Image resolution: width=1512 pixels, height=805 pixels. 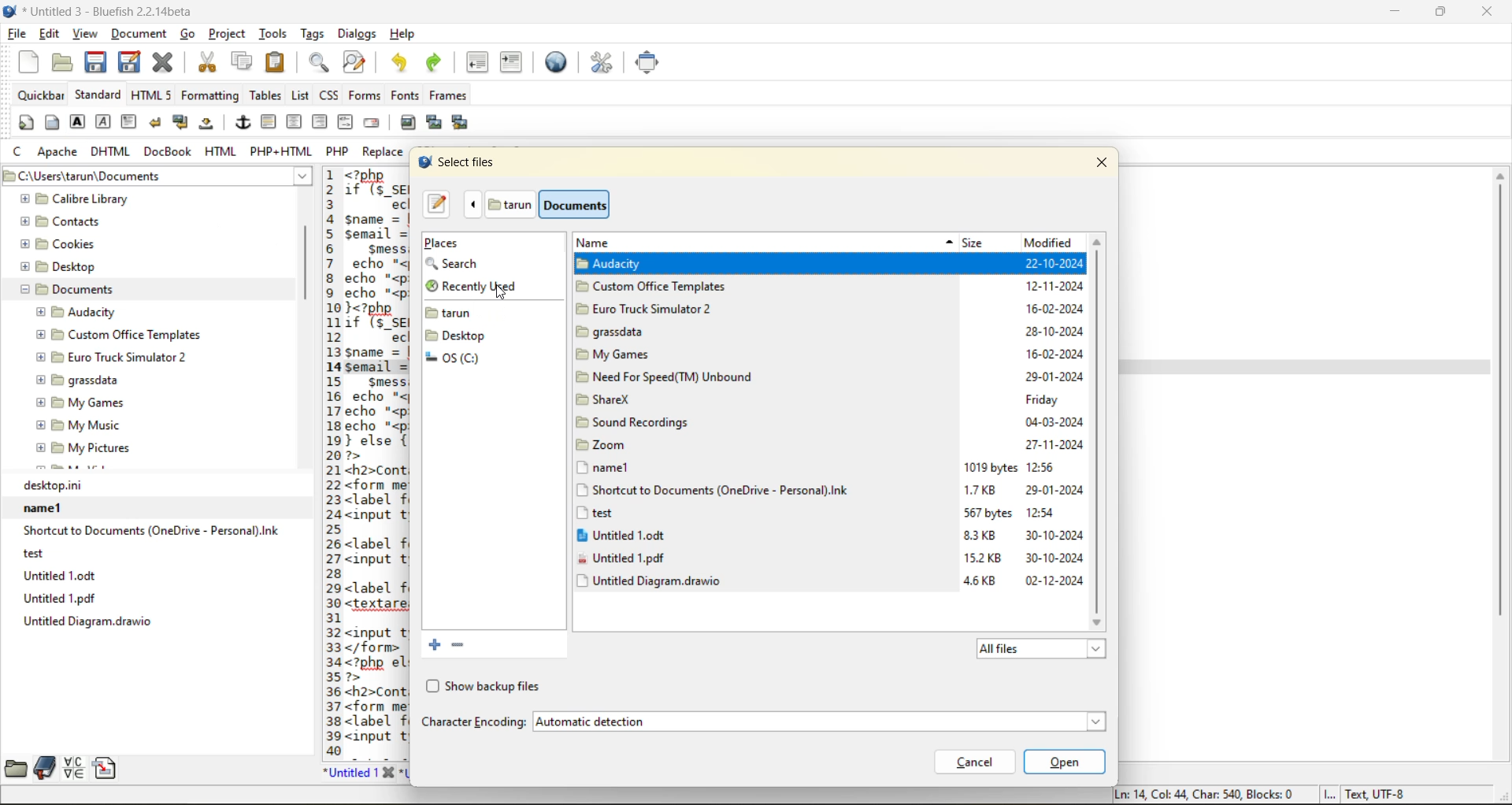 I want to click on center, so click(x=295, y=122).